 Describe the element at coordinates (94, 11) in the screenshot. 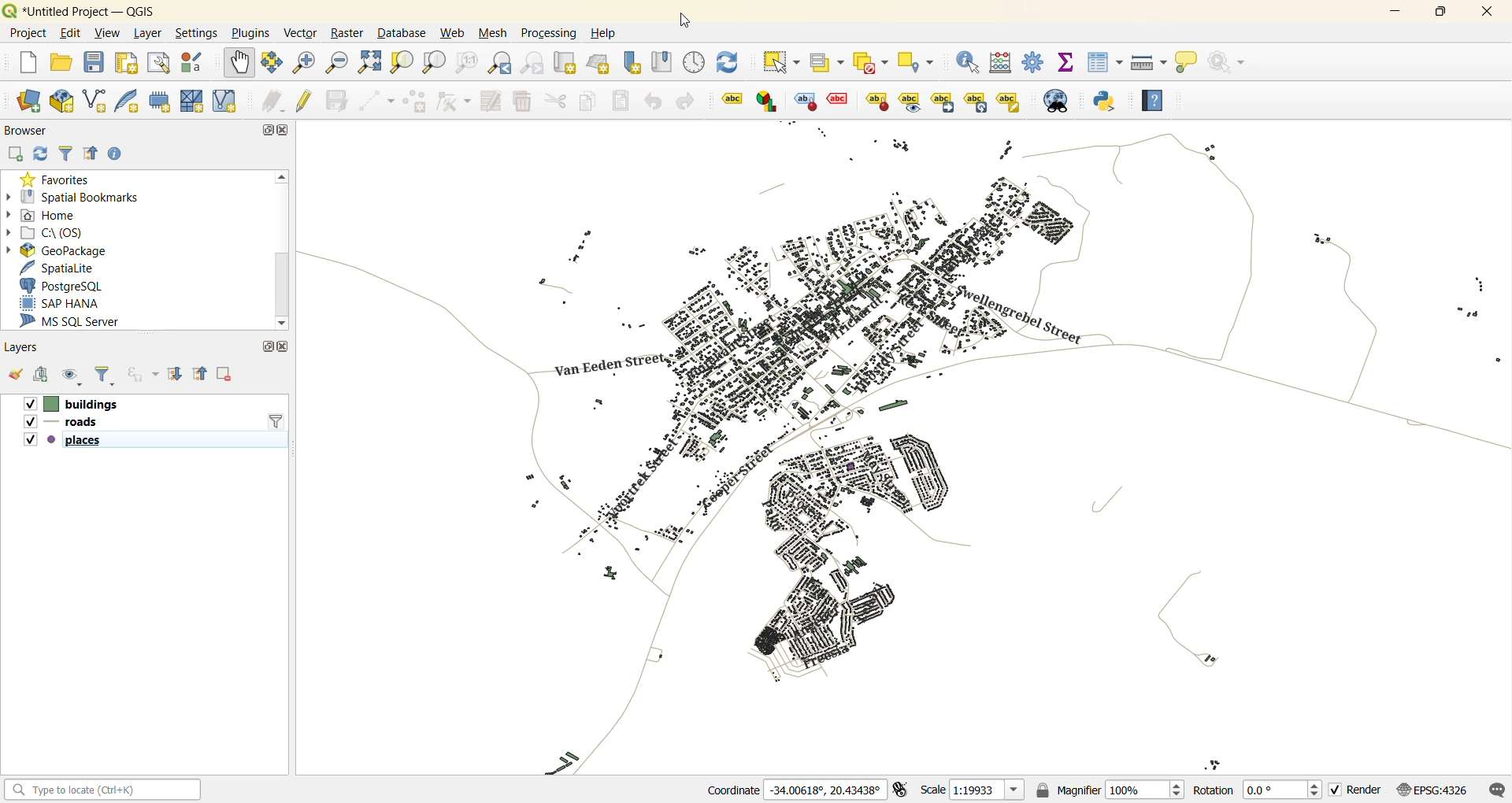

I see `*Untitled Project — QGIS` at that location.